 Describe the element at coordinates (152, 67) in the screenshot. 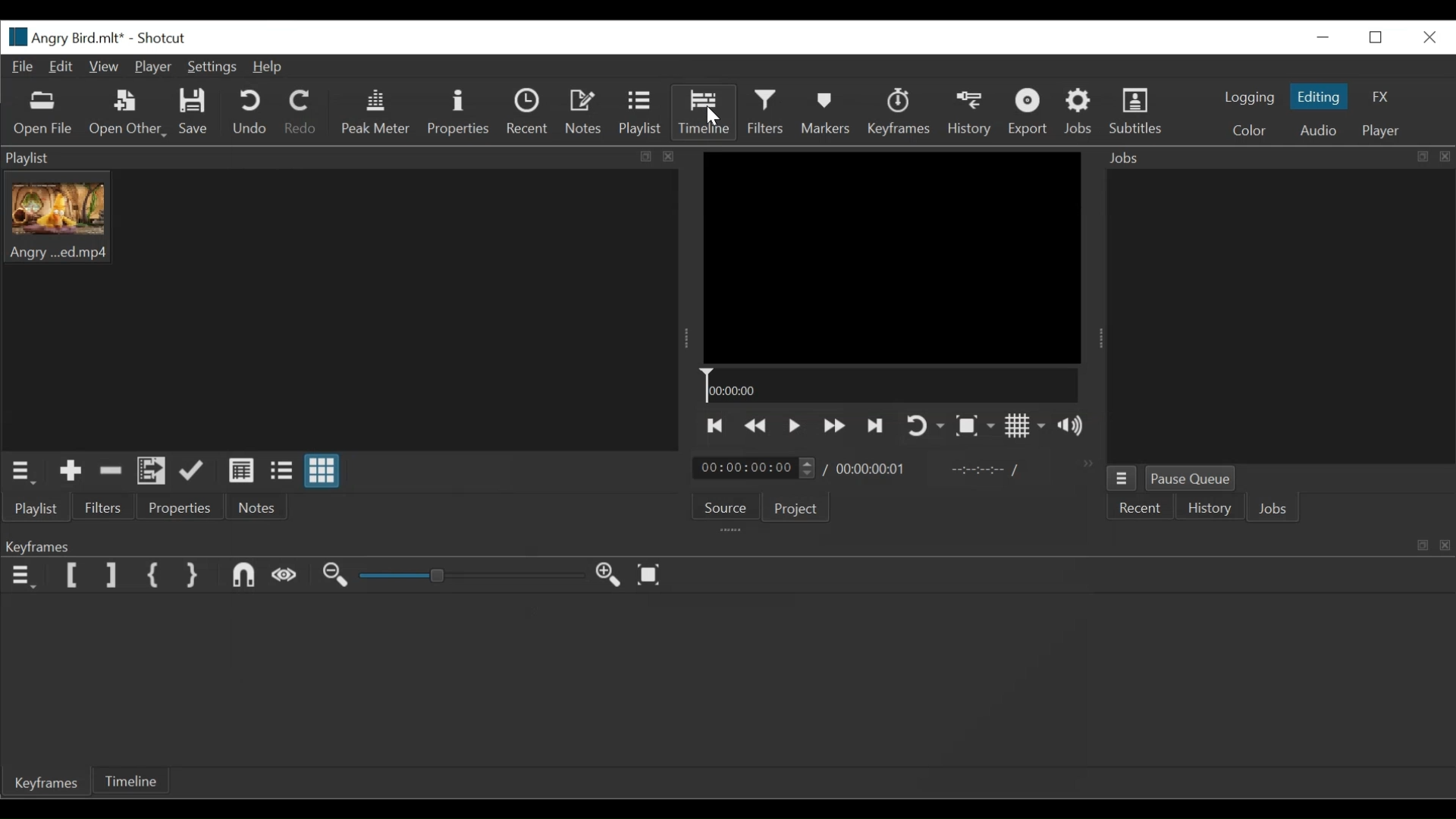

I see `Player` at that location.